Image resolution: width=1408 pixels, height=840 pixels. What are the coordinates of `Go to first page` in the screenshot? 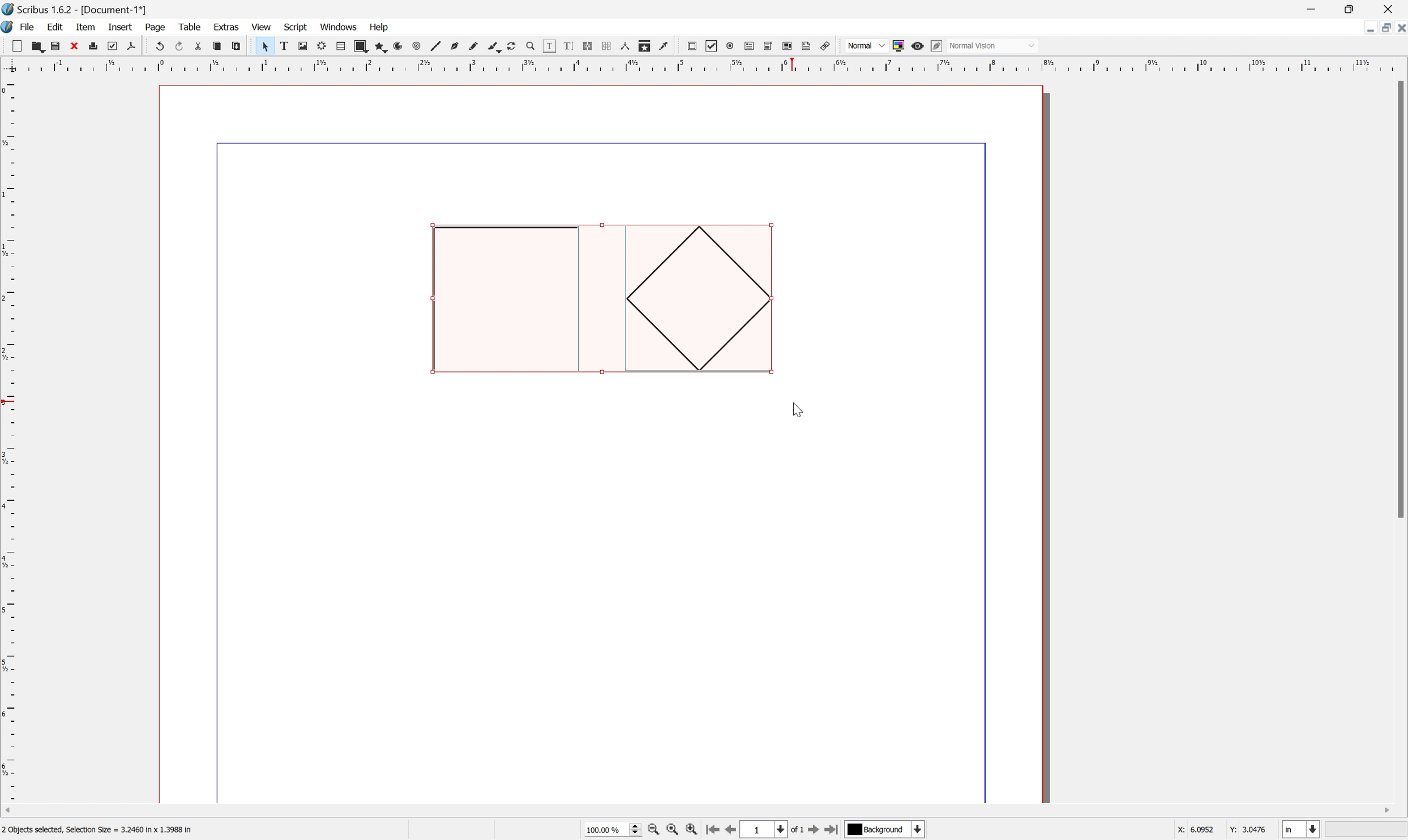 It's located at (708, 830).